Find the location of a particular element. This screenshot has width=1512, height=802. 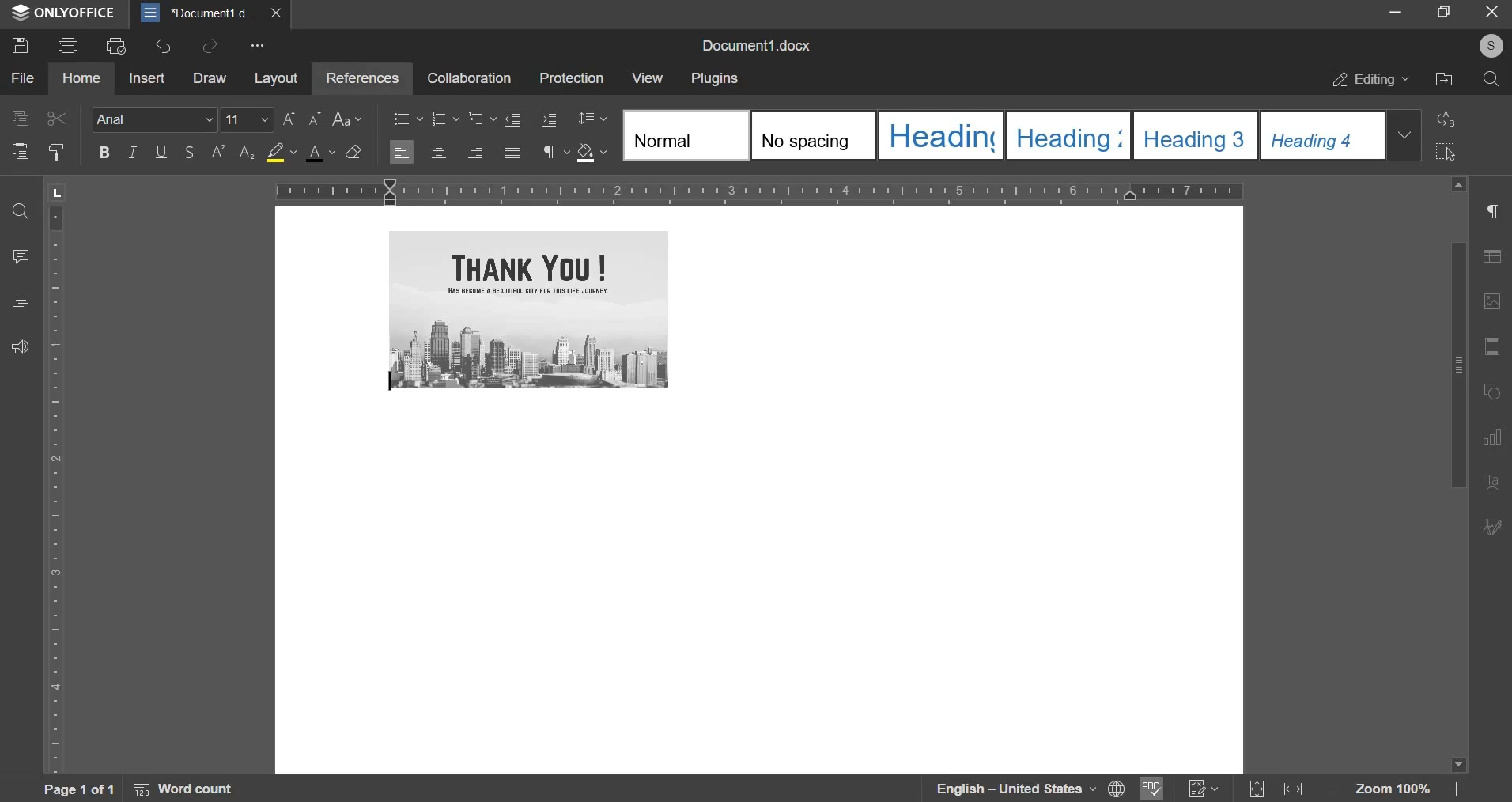

ONLYOFFICE is located at coordinates (63, 13).